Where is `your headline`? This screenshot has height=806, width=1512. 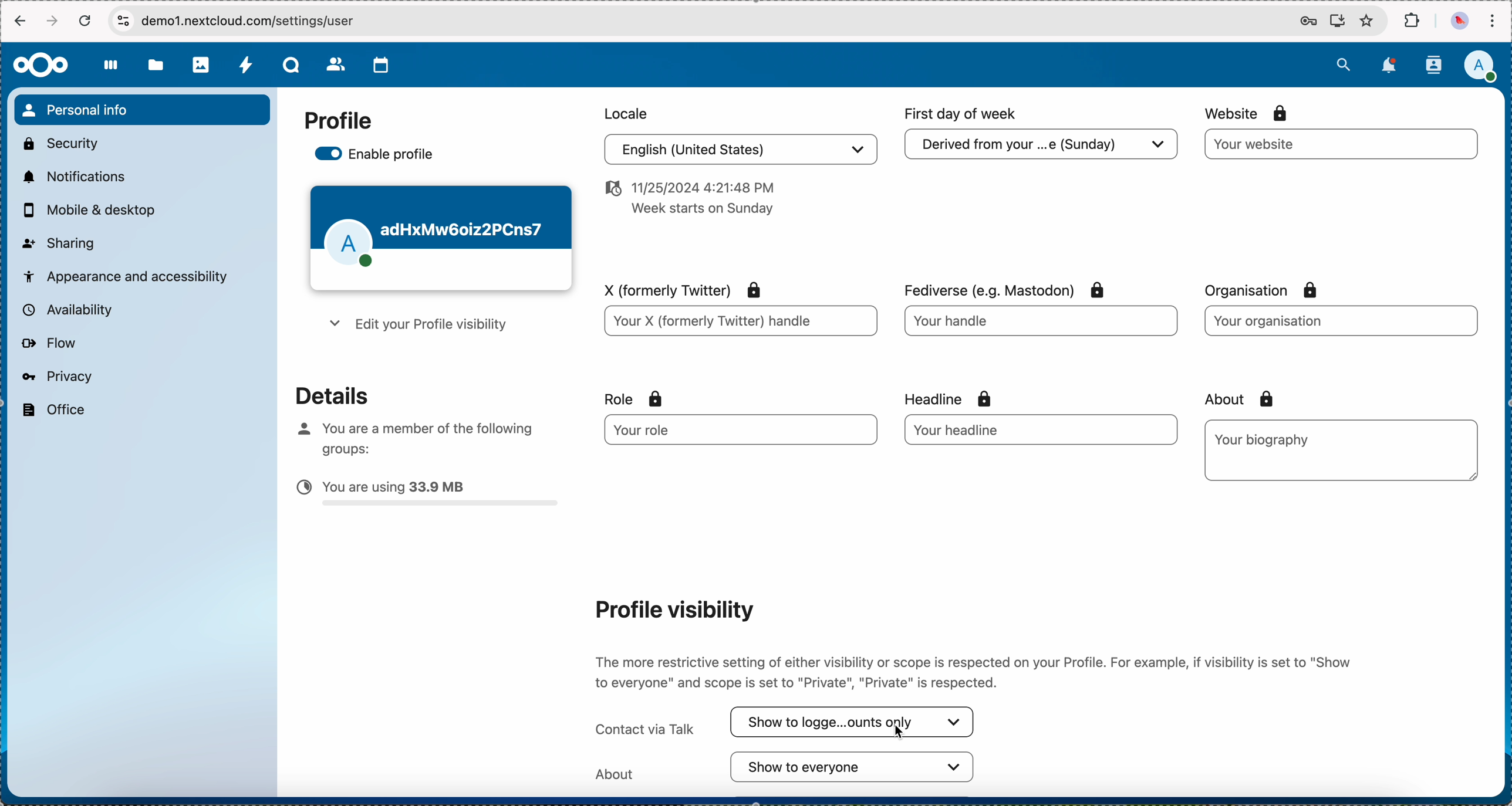 your headline is located at coordinates (1005, 429).